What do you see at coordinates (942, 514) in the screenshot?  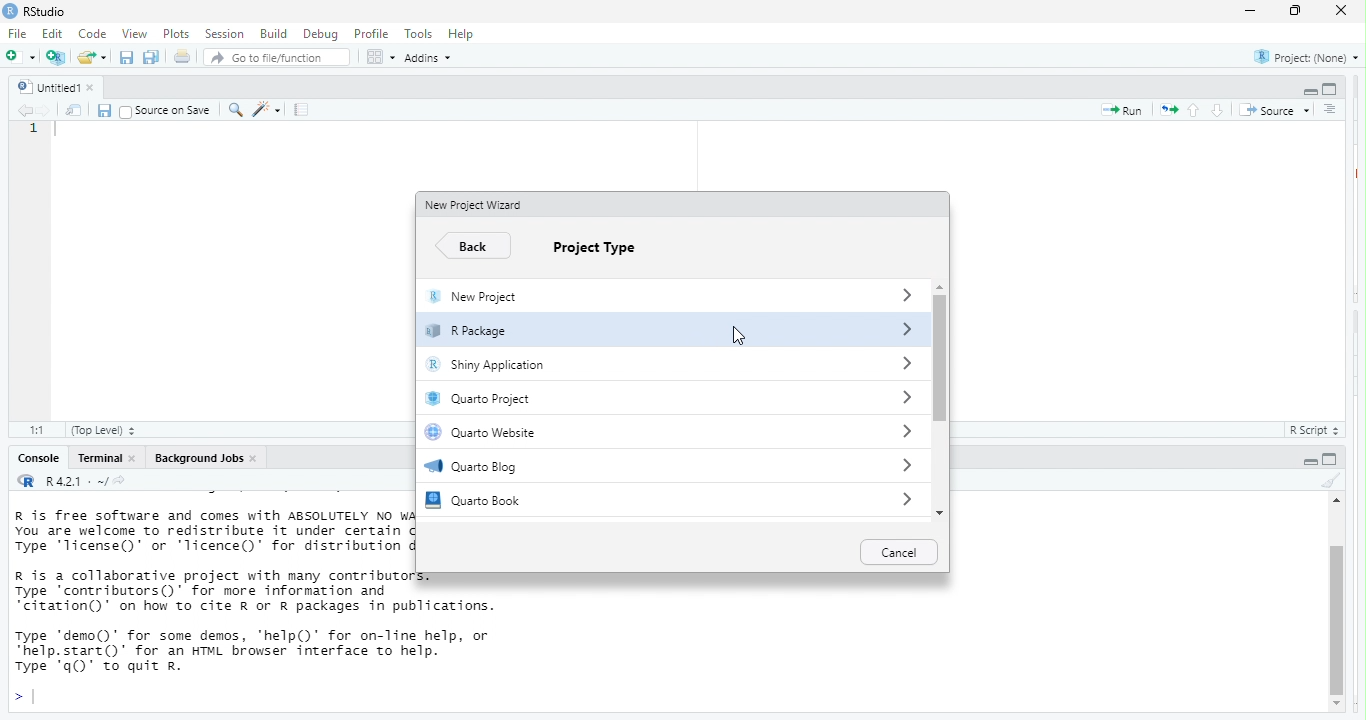 I see `scroll down` at bounding box center [942, 514].